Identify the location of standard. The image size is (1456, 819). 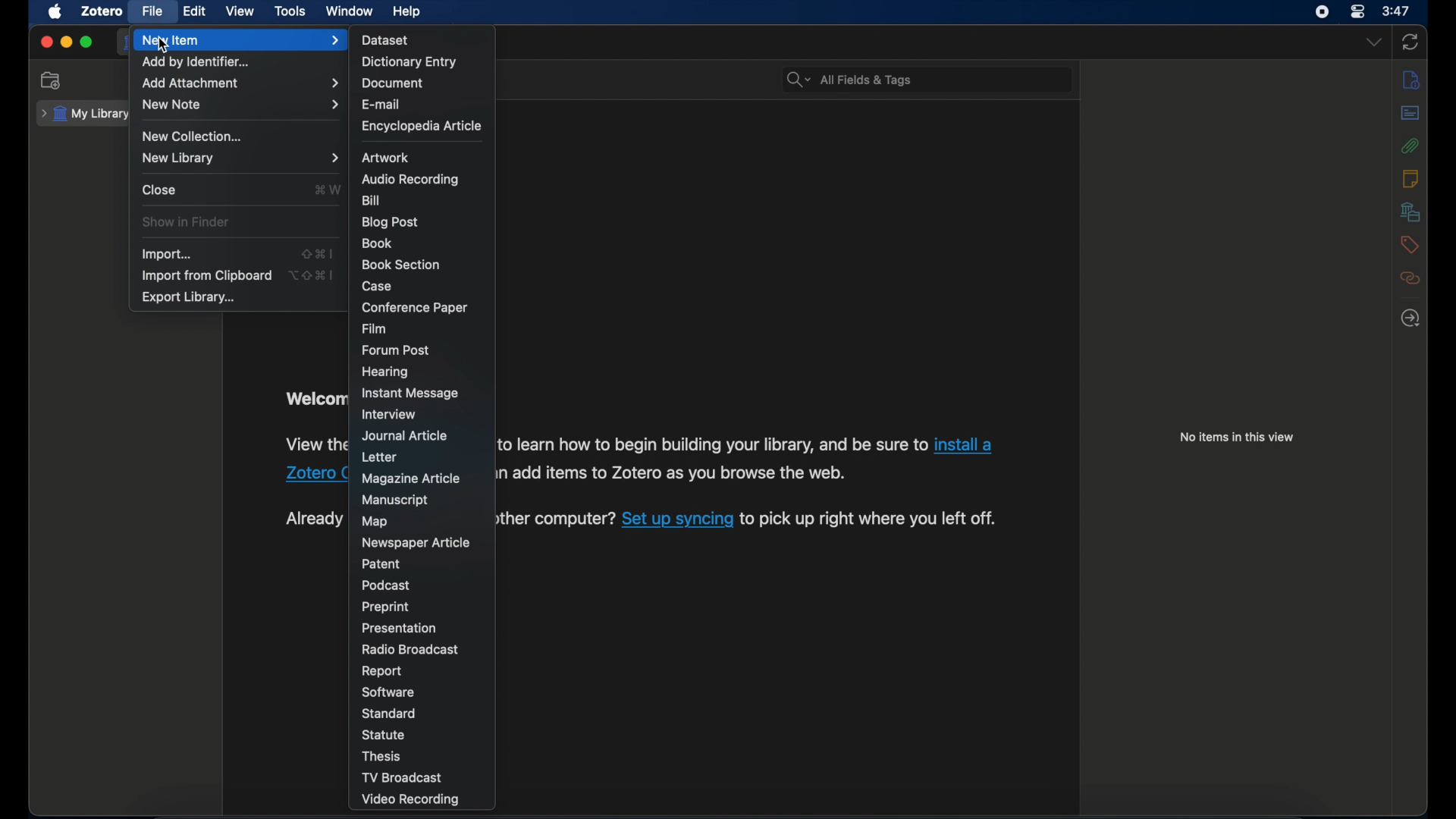
(390, 714).